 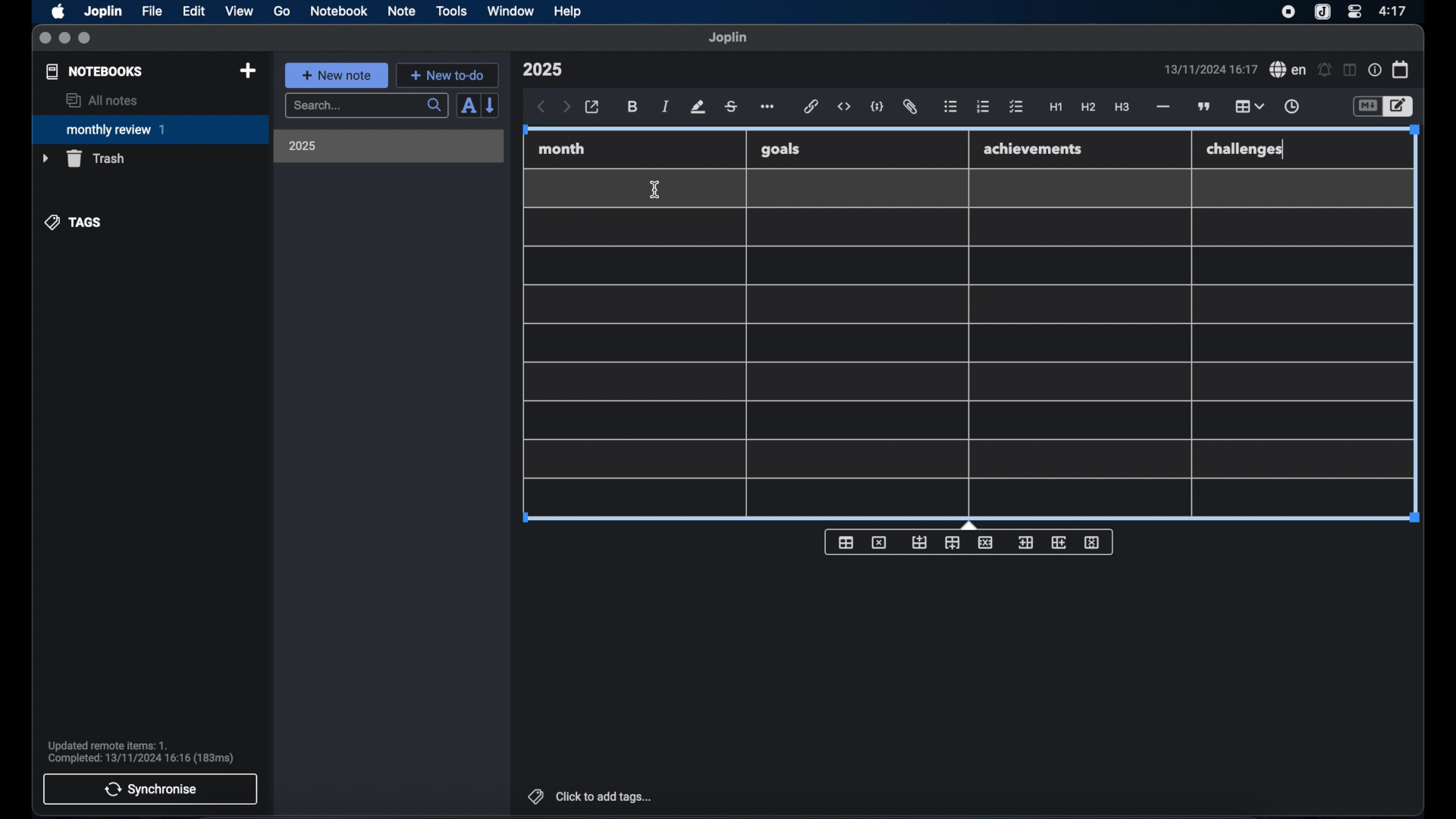 I want to click on calendar, so click(x=1401, y=69).